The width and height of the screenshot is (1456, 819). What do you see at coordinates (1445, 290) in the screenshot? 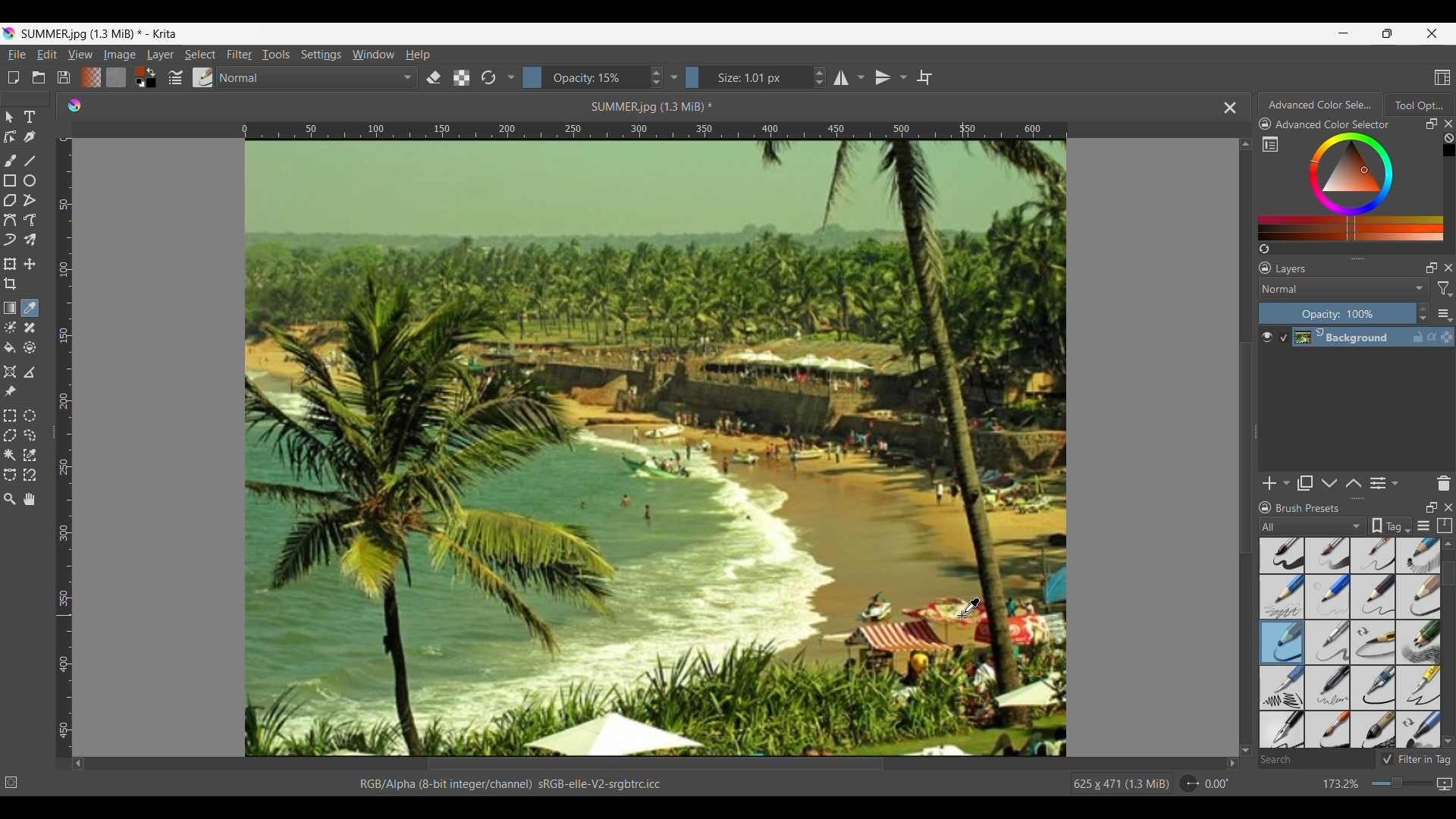
I see `filter options` at bounding box center [1445, 290].